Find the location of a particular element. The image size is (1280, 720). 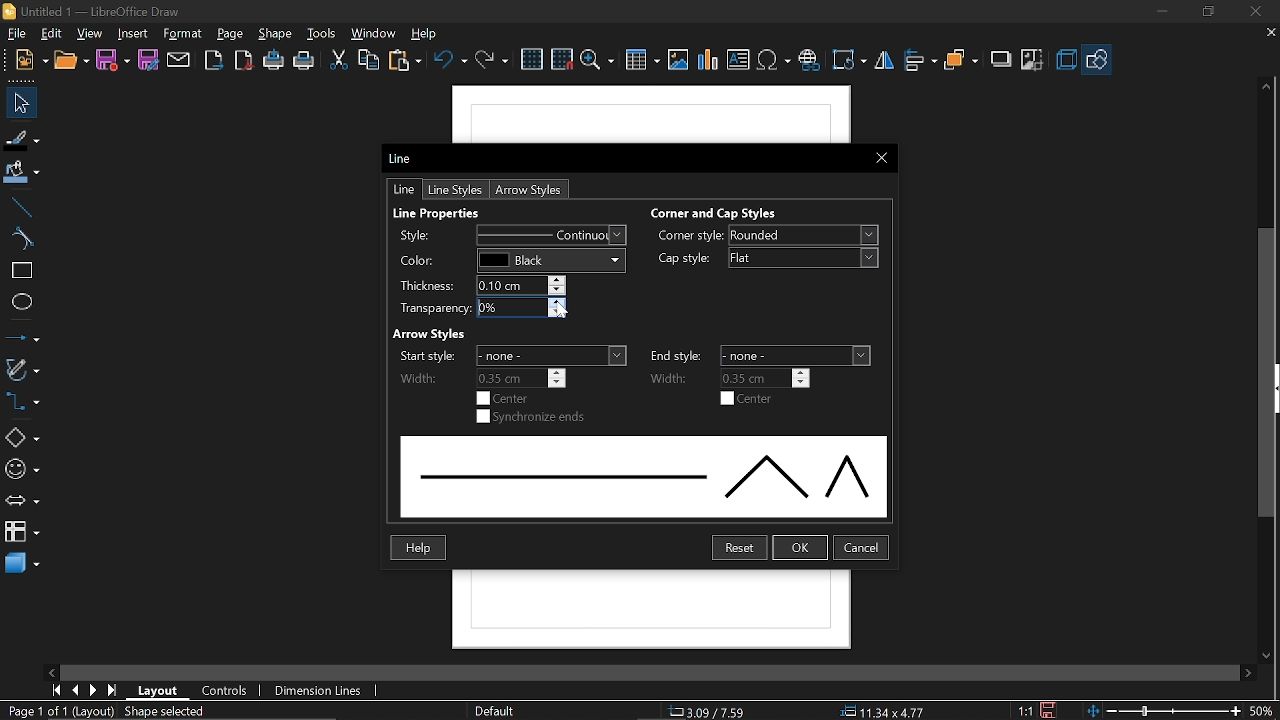

line and arrows is located at coordinates (22, 336).